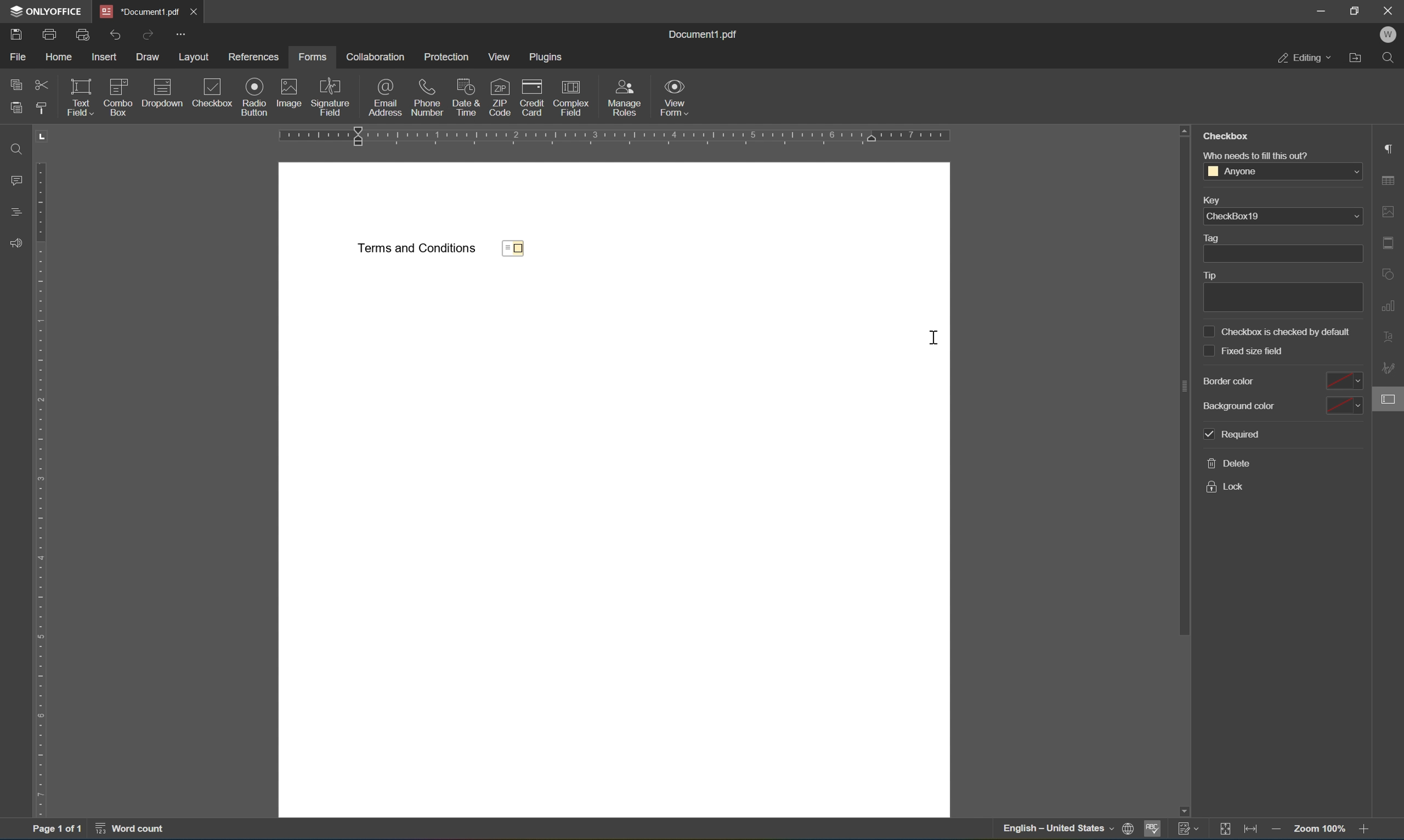 Image resolution: width=1404 pixels, height=840 pixels. I want to click on ruler, so click(41, 490).